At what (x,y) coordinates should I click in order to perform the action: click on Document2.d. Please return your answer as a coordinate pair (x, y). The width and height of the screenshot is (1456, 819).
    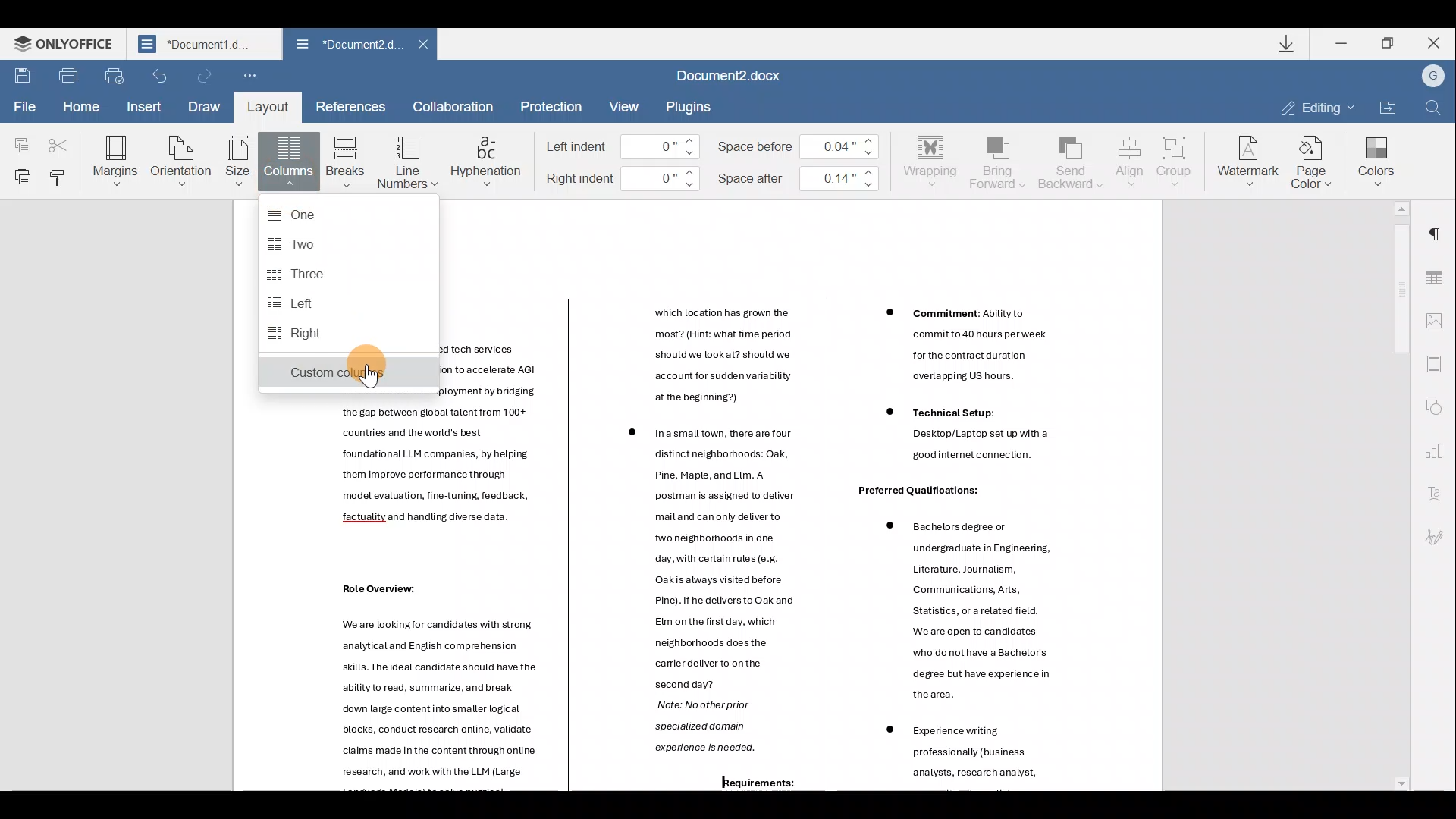
    Looking at the image, I should click on (347, 48).